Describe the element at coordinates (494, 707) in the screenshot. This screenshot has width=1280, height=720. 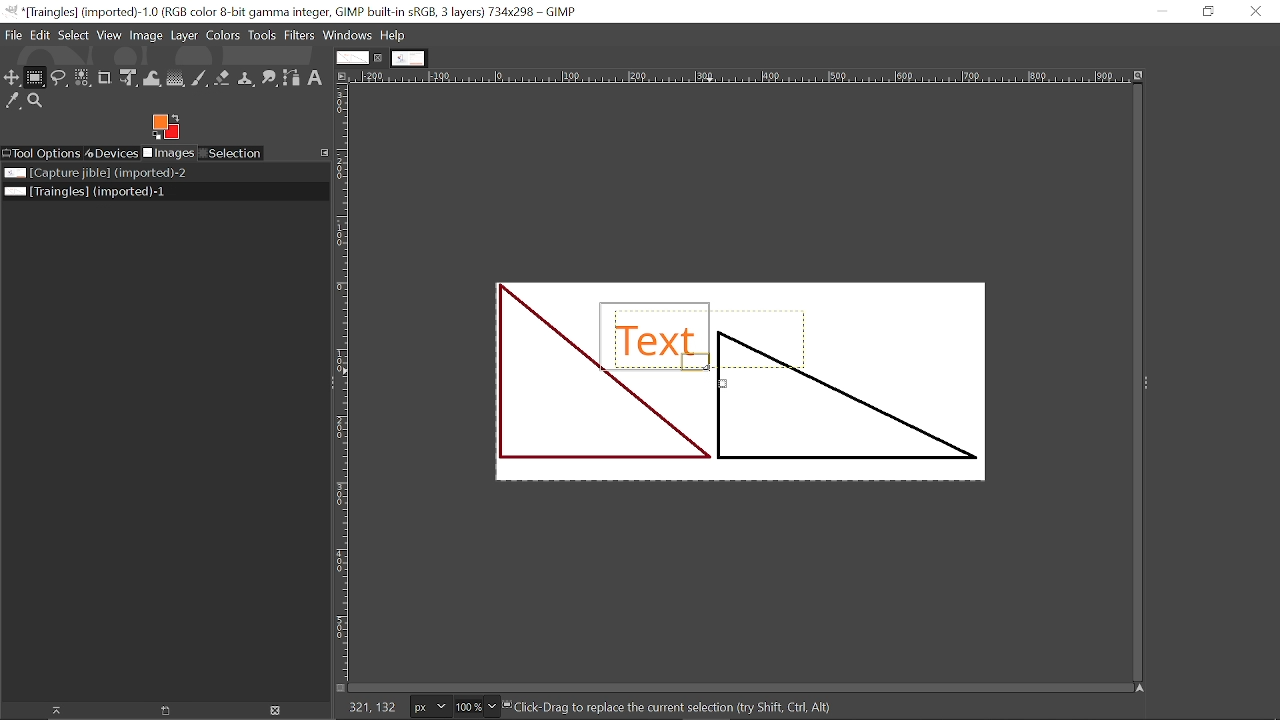
I see `Zoom options` at that location.